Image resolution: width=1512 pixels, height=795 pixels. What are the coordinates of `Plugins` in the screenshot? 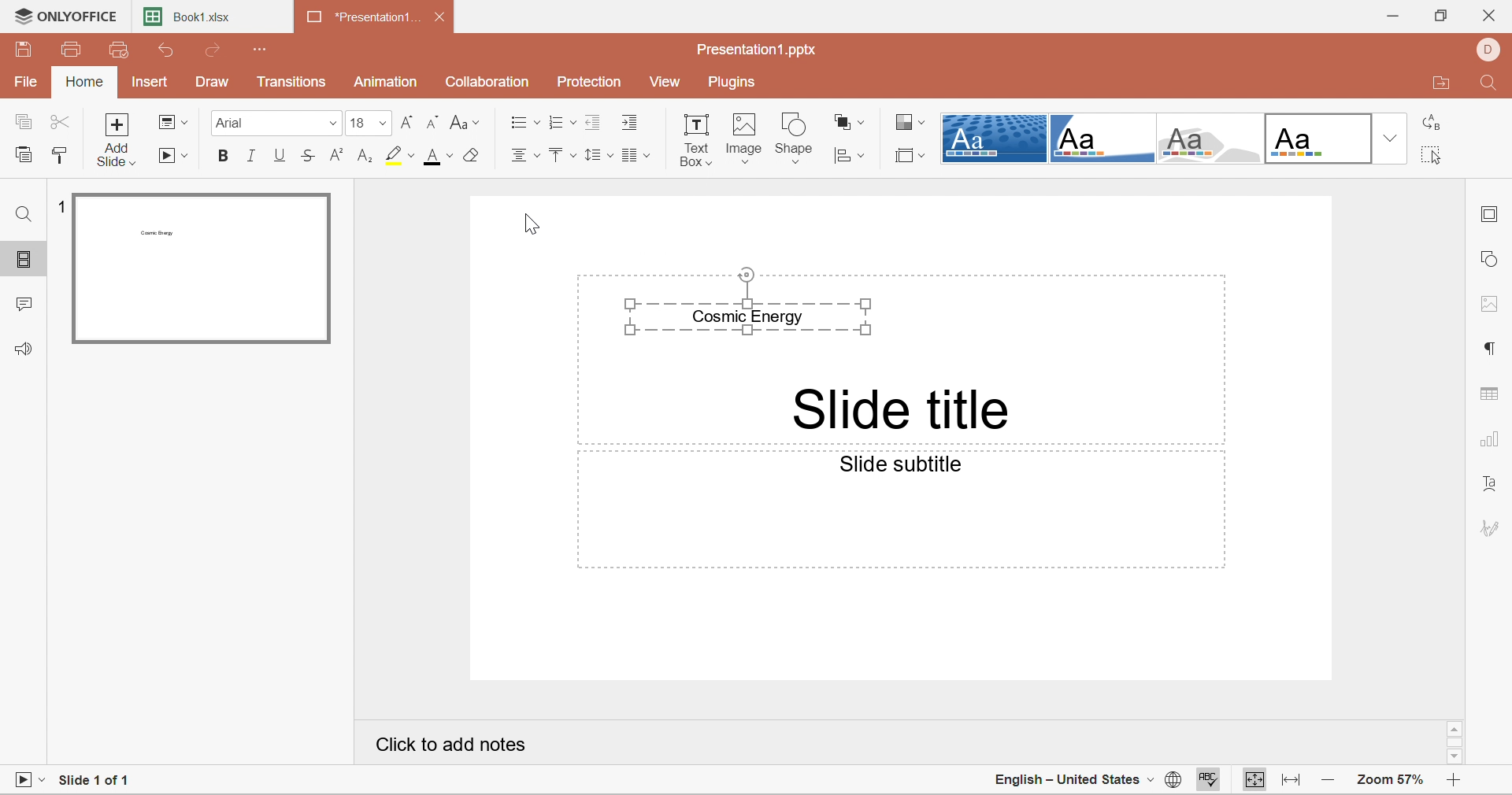 It's located at (734, 83).